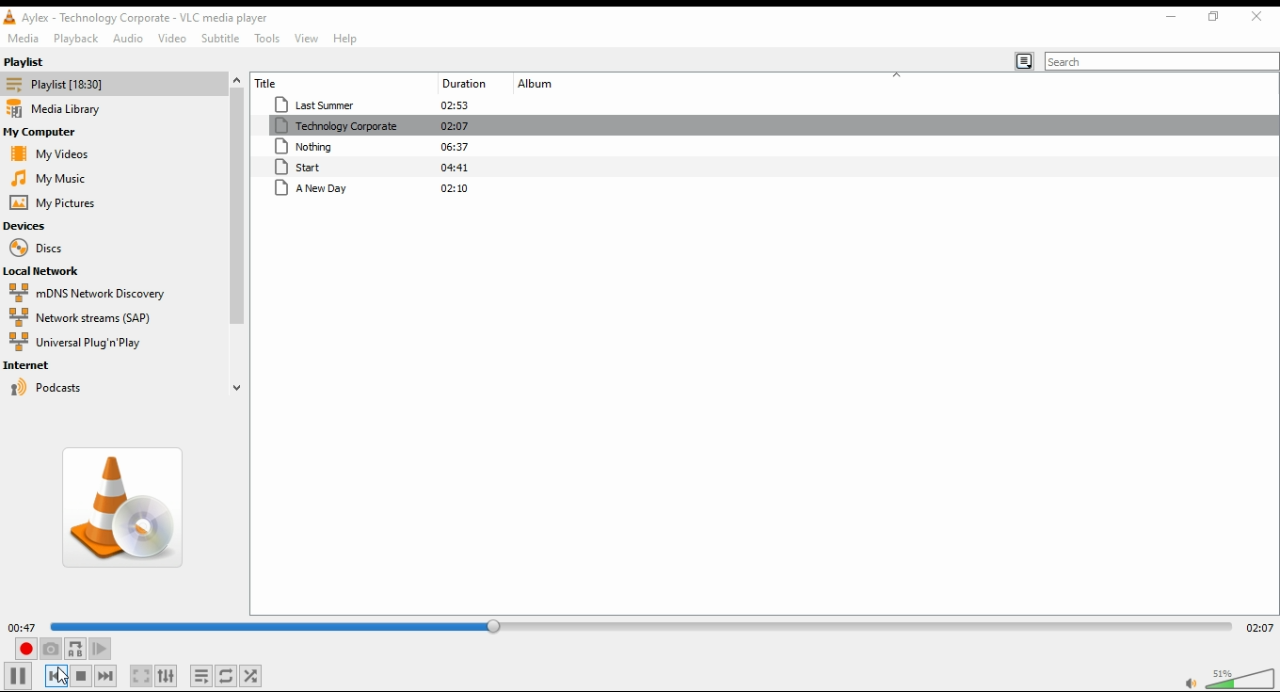  Describe the element at coordinates (167, 676) in the screenshot. I see `show extended settings` at that location.